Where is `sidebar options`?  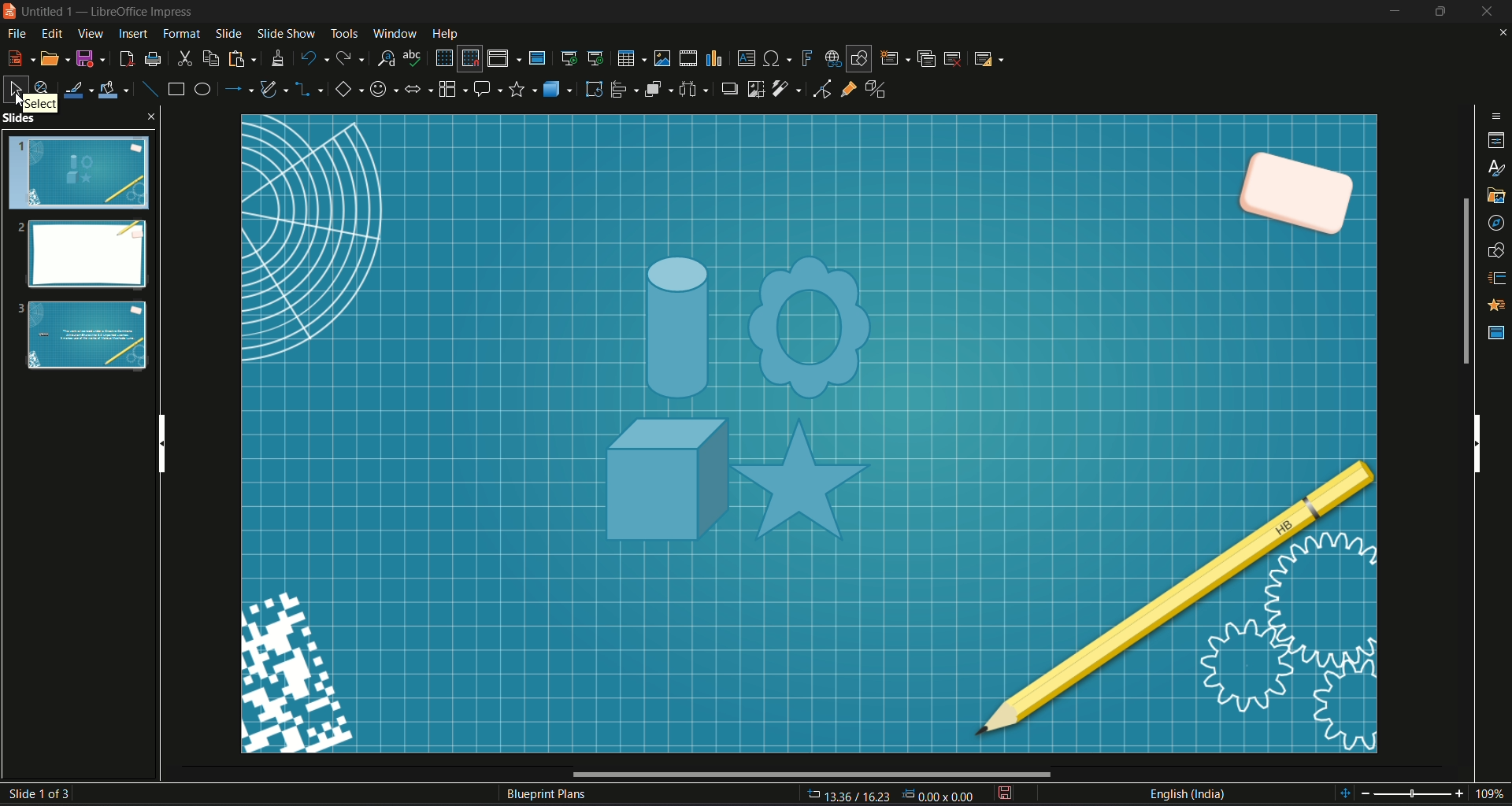
sidebar options is located at coordinates (1497, 115).